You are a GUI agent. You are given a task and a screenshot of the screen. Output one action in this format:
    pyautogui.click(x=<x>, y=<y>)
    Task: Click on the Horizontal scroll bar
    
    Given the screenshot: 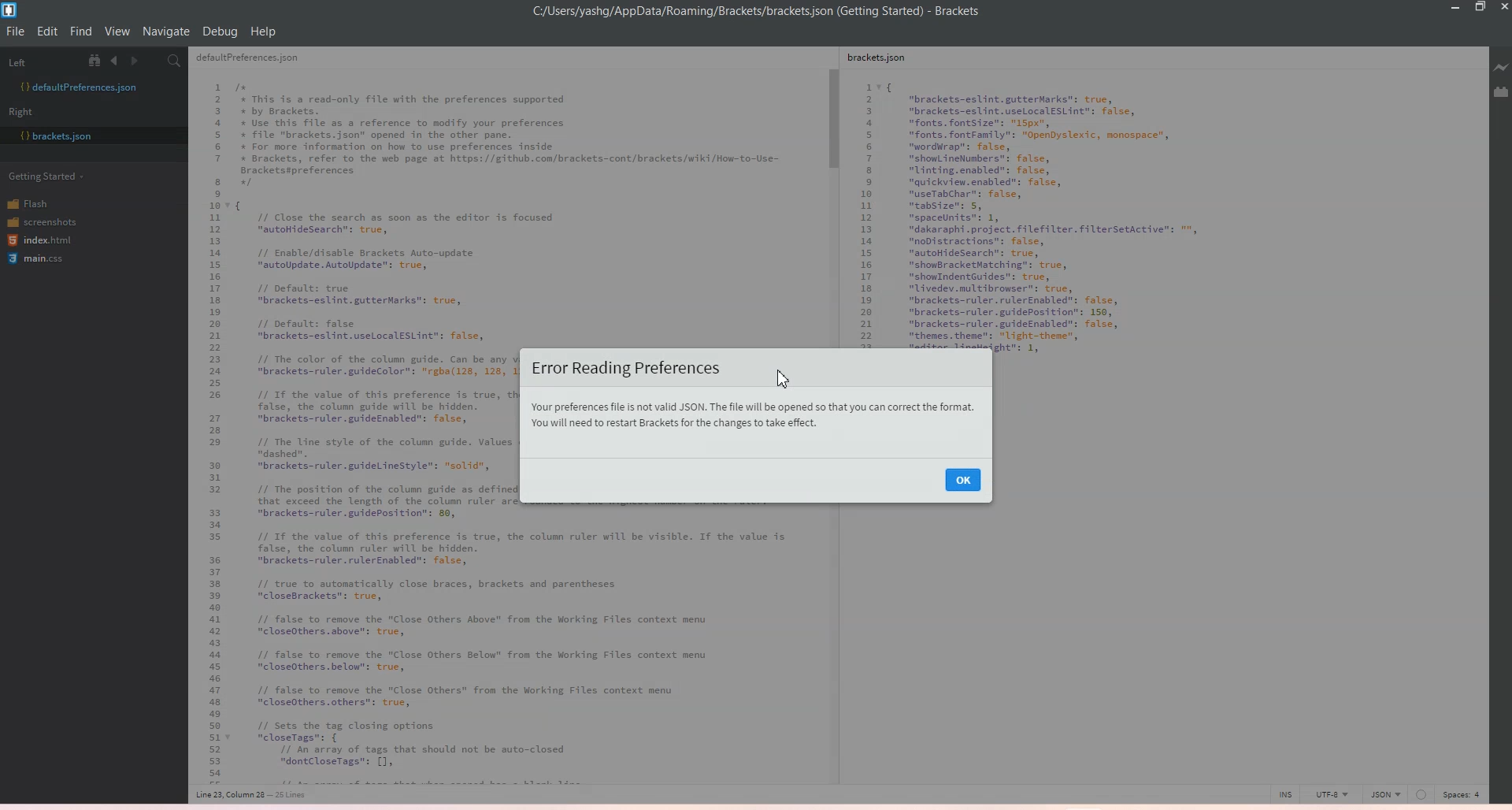 What is the action you would take?
    pyautogui.click(x=499, y=780)
    